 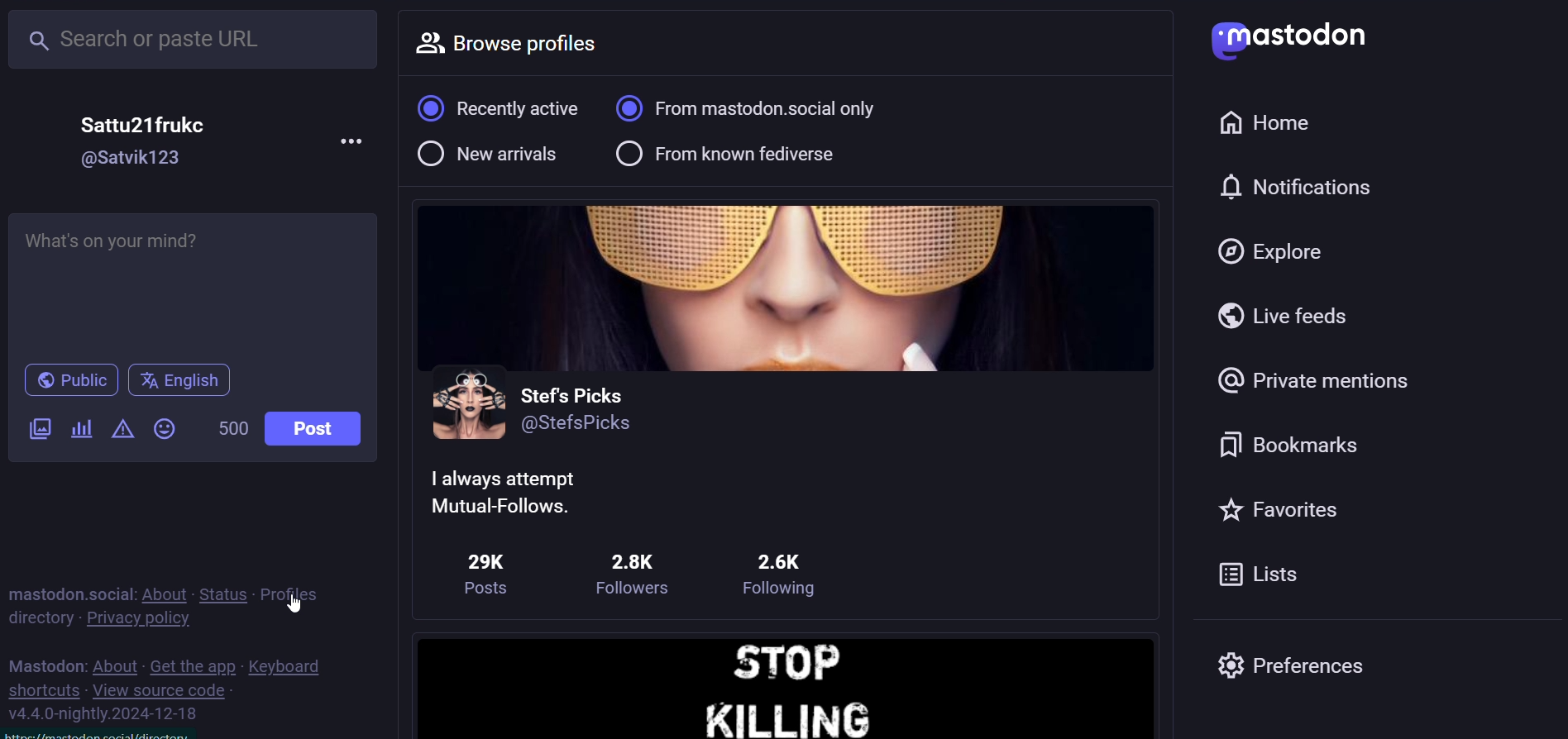 What do you see at coordinates (82, 429) in the screenshot?
I see `poll` at bounding box center [82, 429].